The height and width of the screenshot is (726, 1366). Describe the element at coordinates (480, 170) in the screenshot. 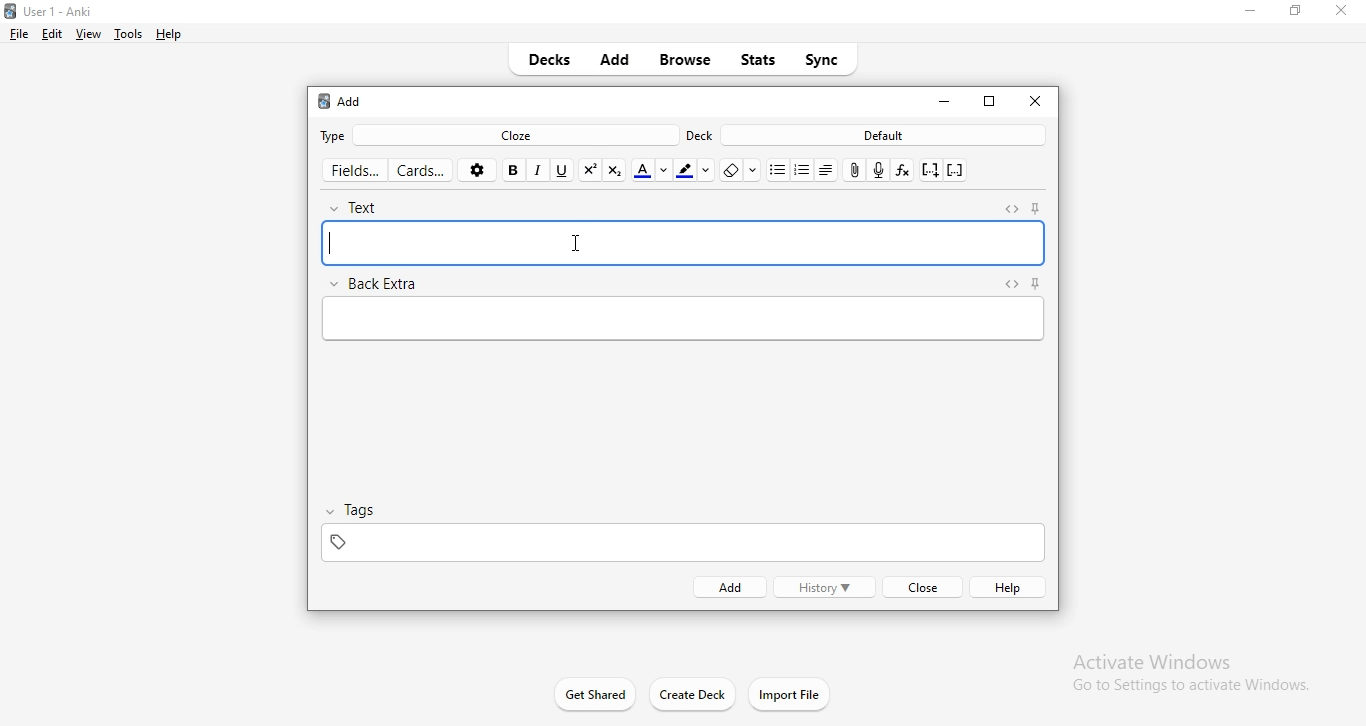

I see `settings` at that location.